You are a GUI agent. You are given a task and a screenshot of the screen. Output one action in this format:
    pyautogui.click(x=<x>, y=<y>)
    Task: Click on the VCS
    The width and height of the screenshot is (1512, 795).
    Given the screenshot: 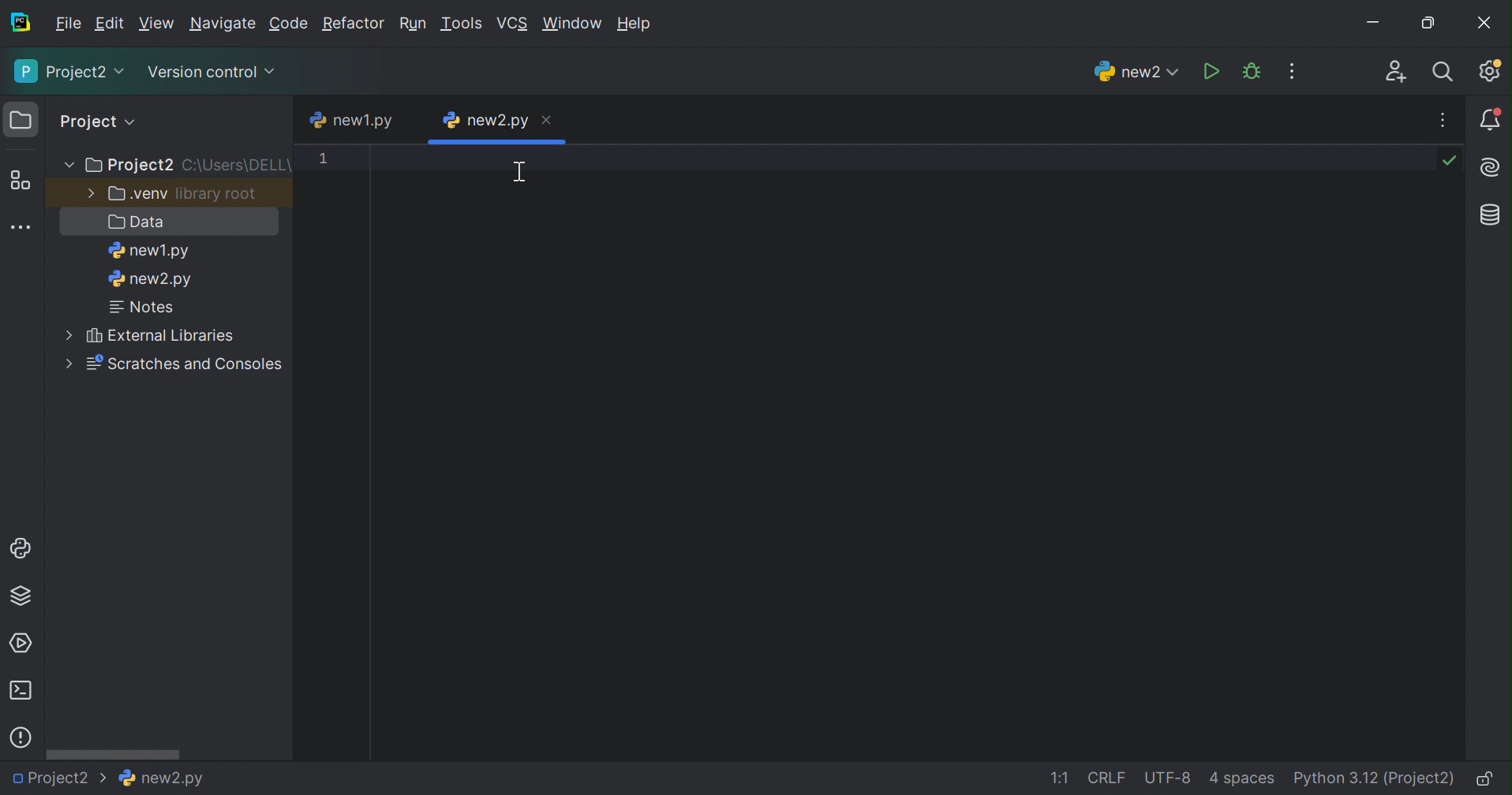 What is the action you would take?
    pyautogui.click(x=515, y=22)
    